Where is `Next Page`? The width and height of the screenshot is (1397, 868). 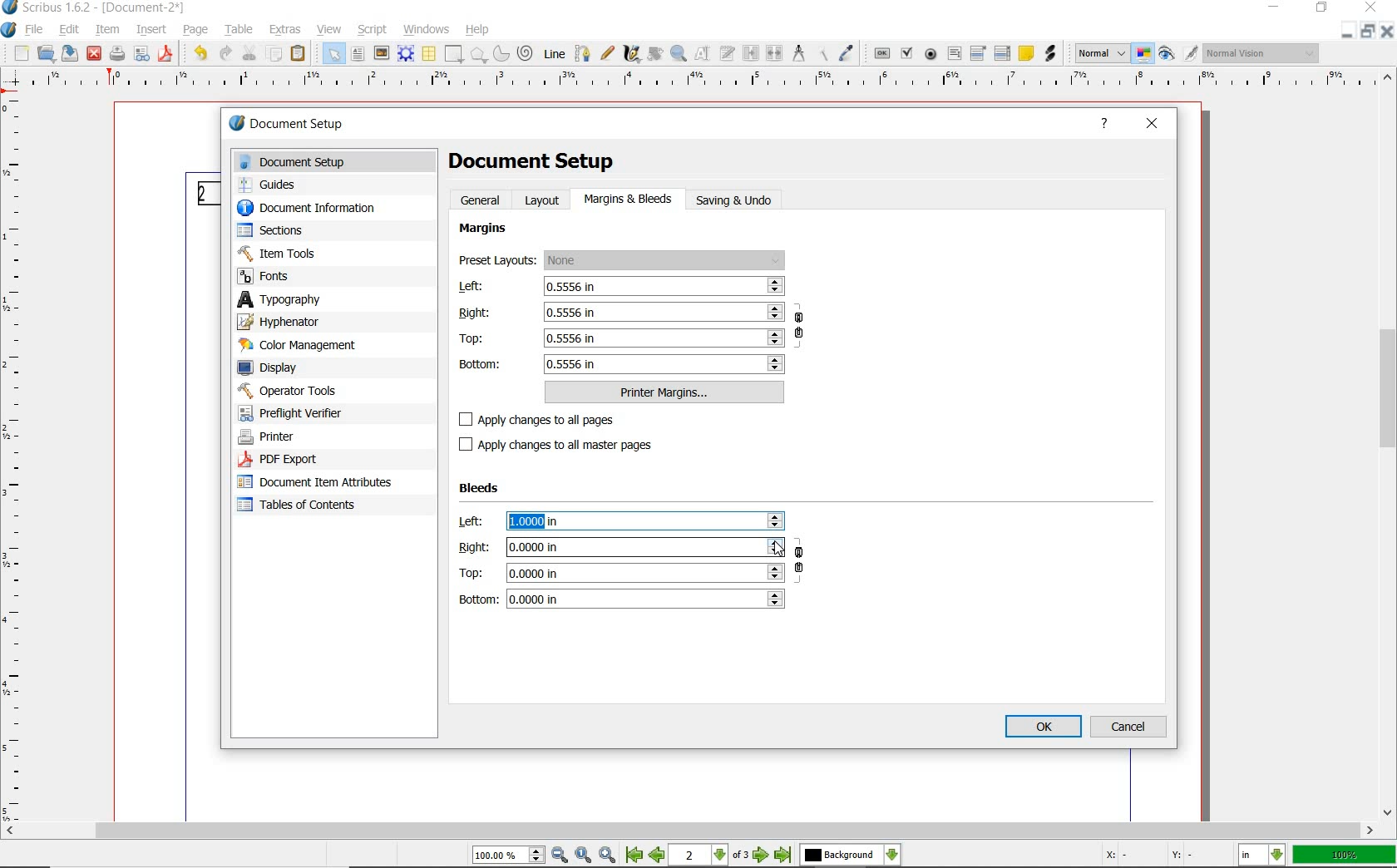
Next Page is located at coordinates (762, 856).